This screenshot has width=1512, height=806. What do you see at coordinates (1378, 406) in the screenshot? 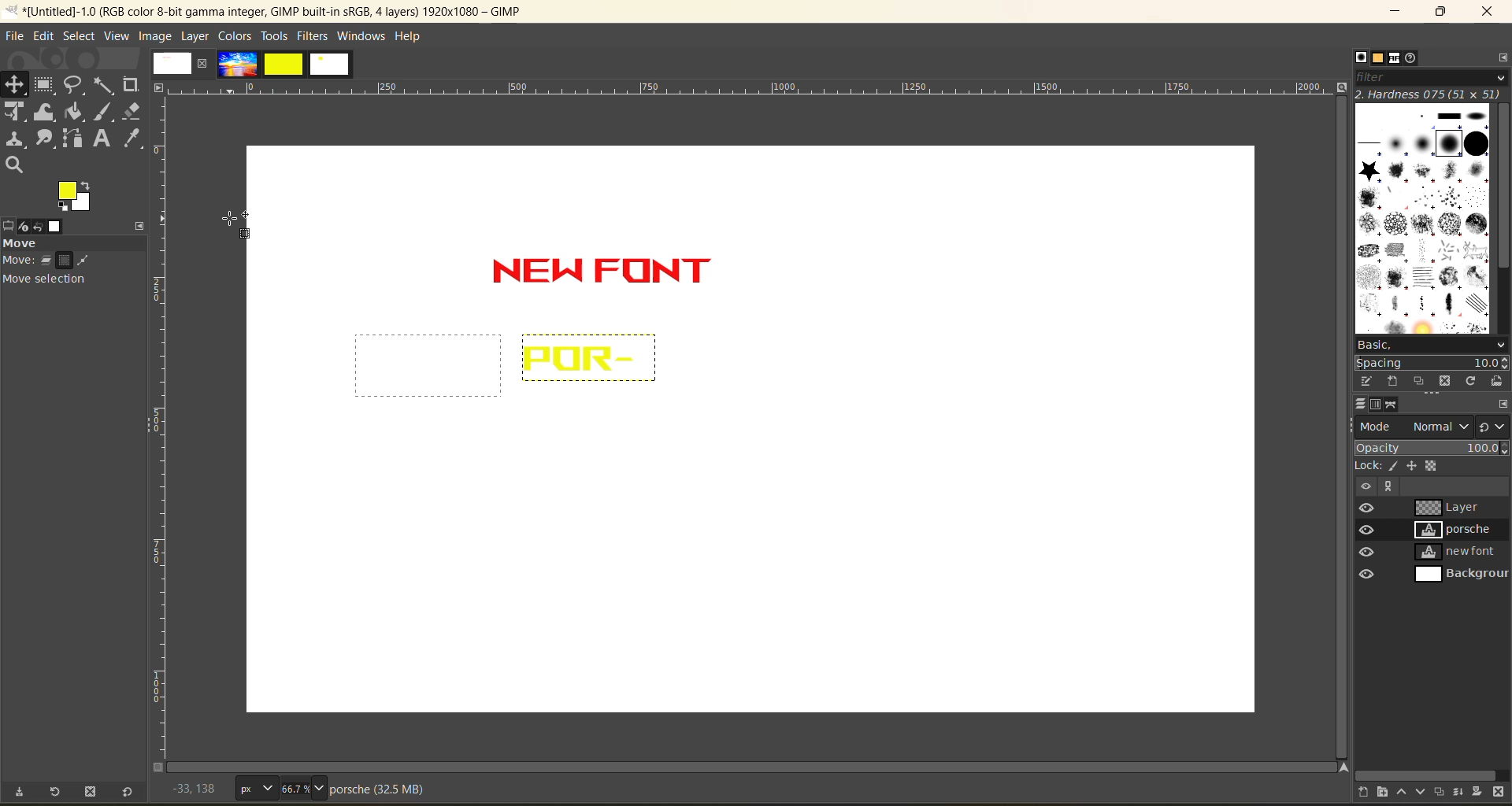
I see `channels` at bounding box center [1378, 406].